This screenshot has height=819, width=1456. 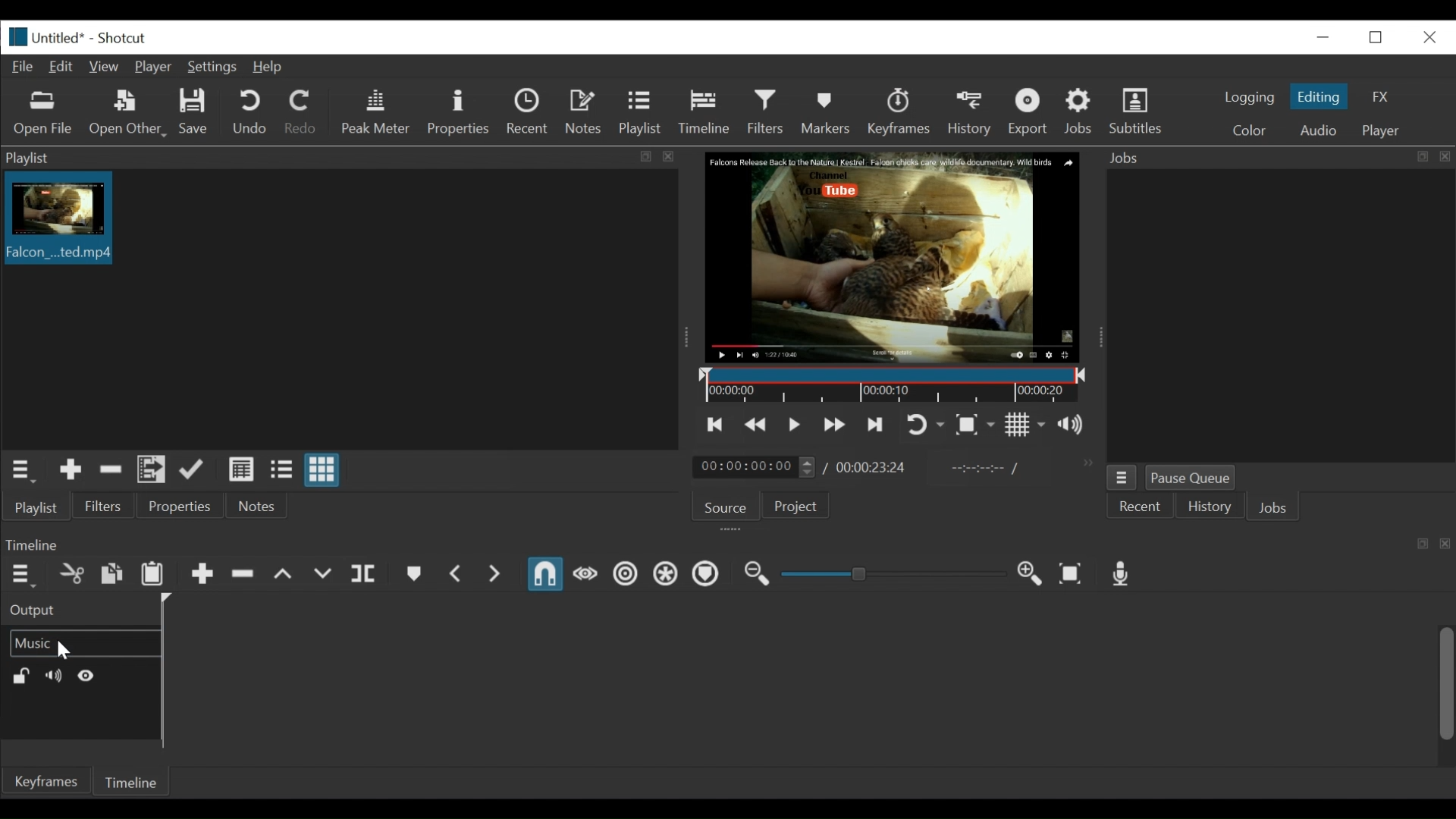 I want to click on File name, so click(x=45, y=36).